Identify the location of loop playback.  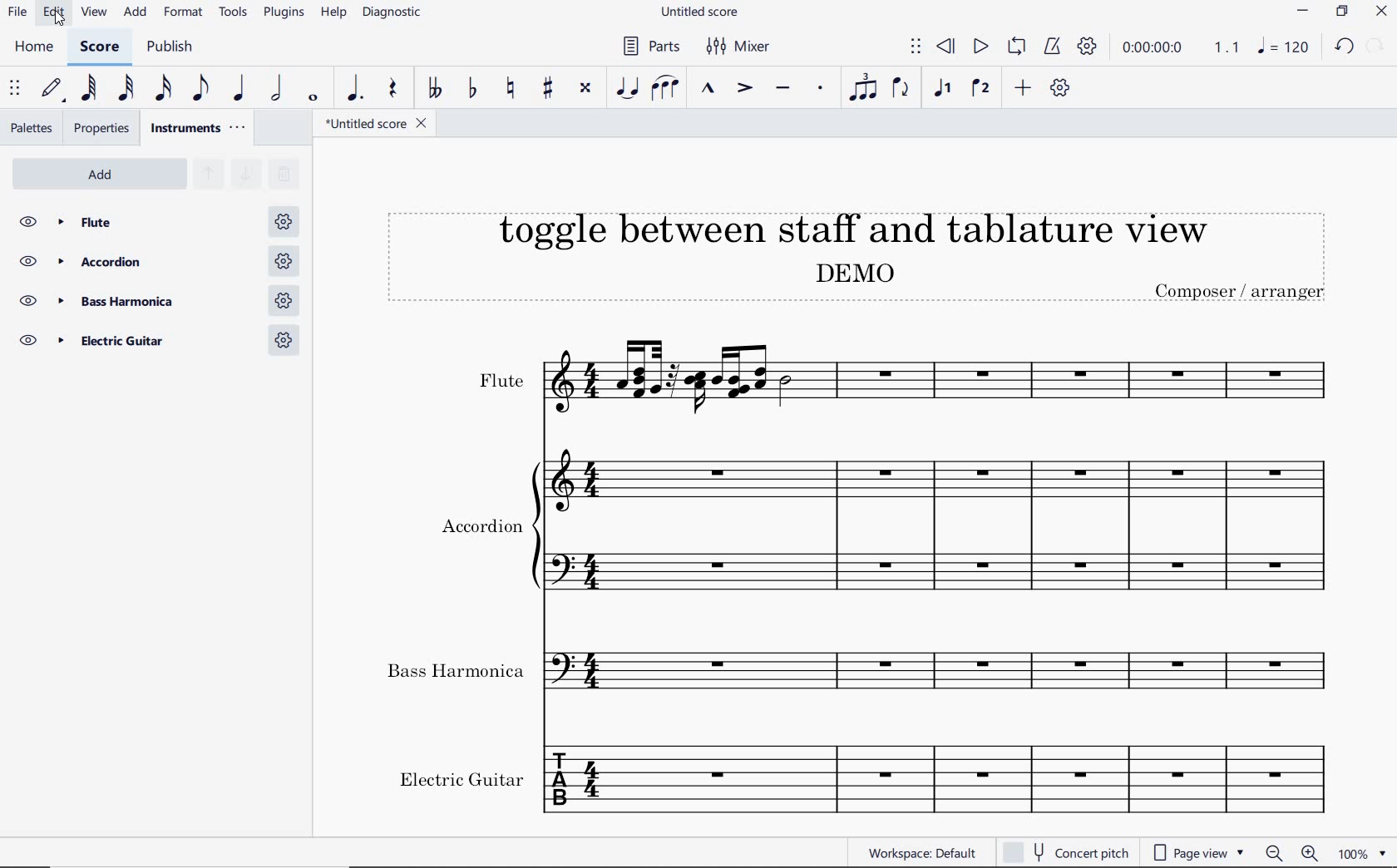
(1019, 47).